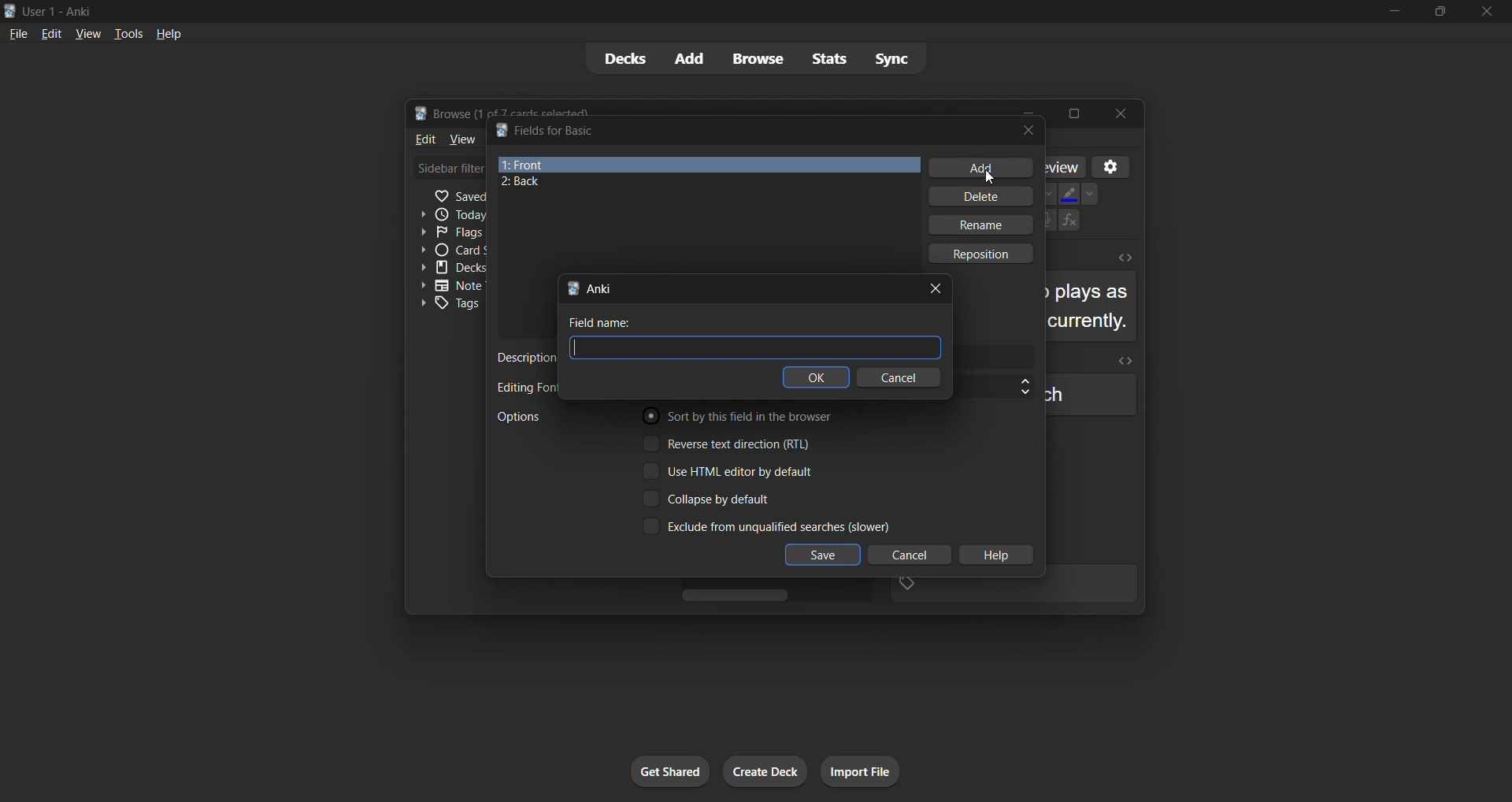 Image resolution: width=1512 pixels, height=802 pixels. I want to click on delete field, so click(977, 198).